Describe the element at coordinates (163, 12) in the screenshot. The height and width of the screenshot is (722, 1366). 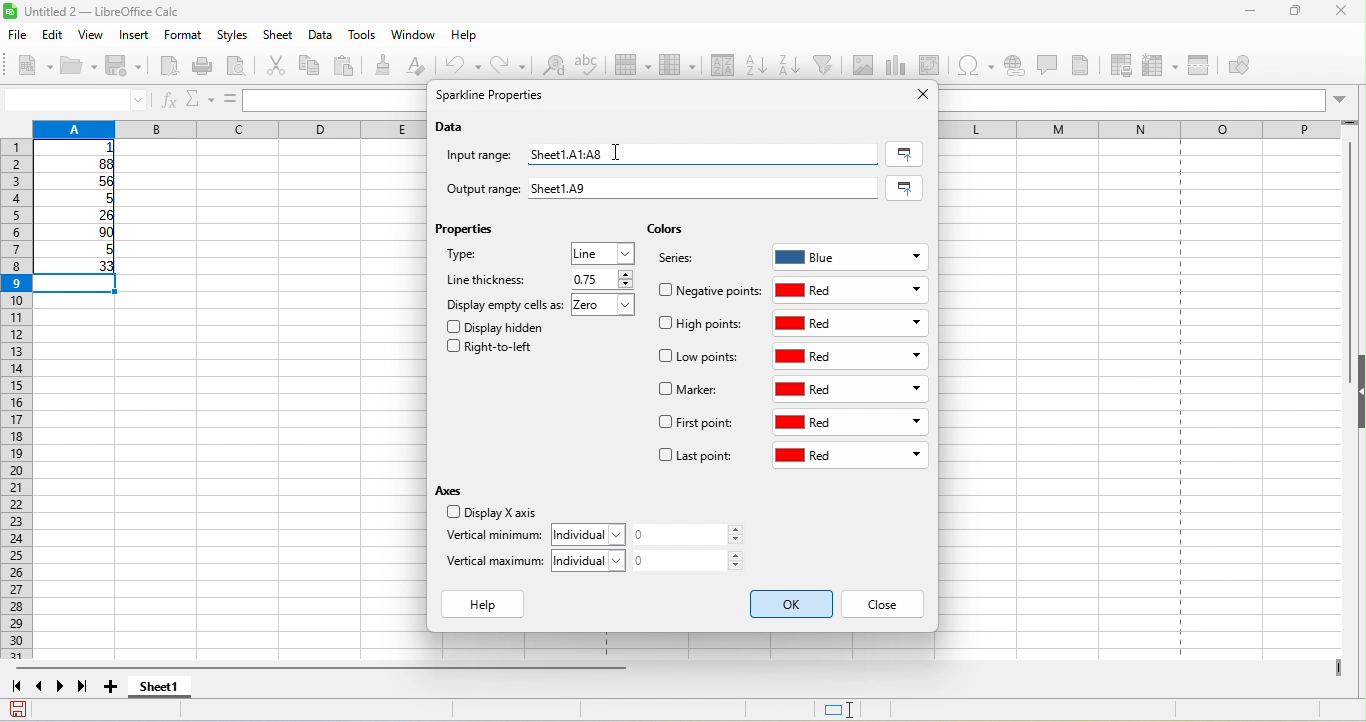
I see `untitled 2-libre office calc` at that location.